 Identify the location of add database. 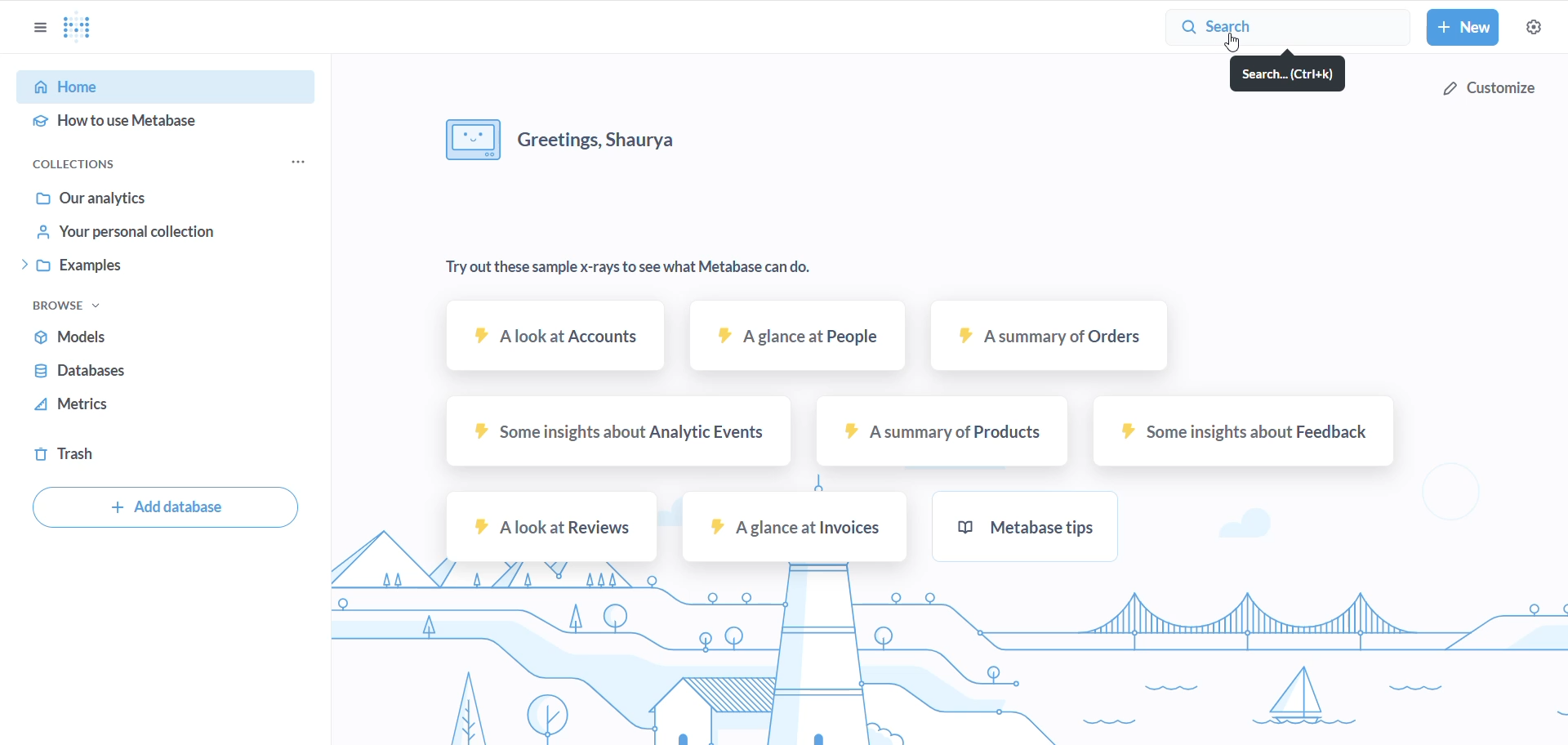
(168, 511).